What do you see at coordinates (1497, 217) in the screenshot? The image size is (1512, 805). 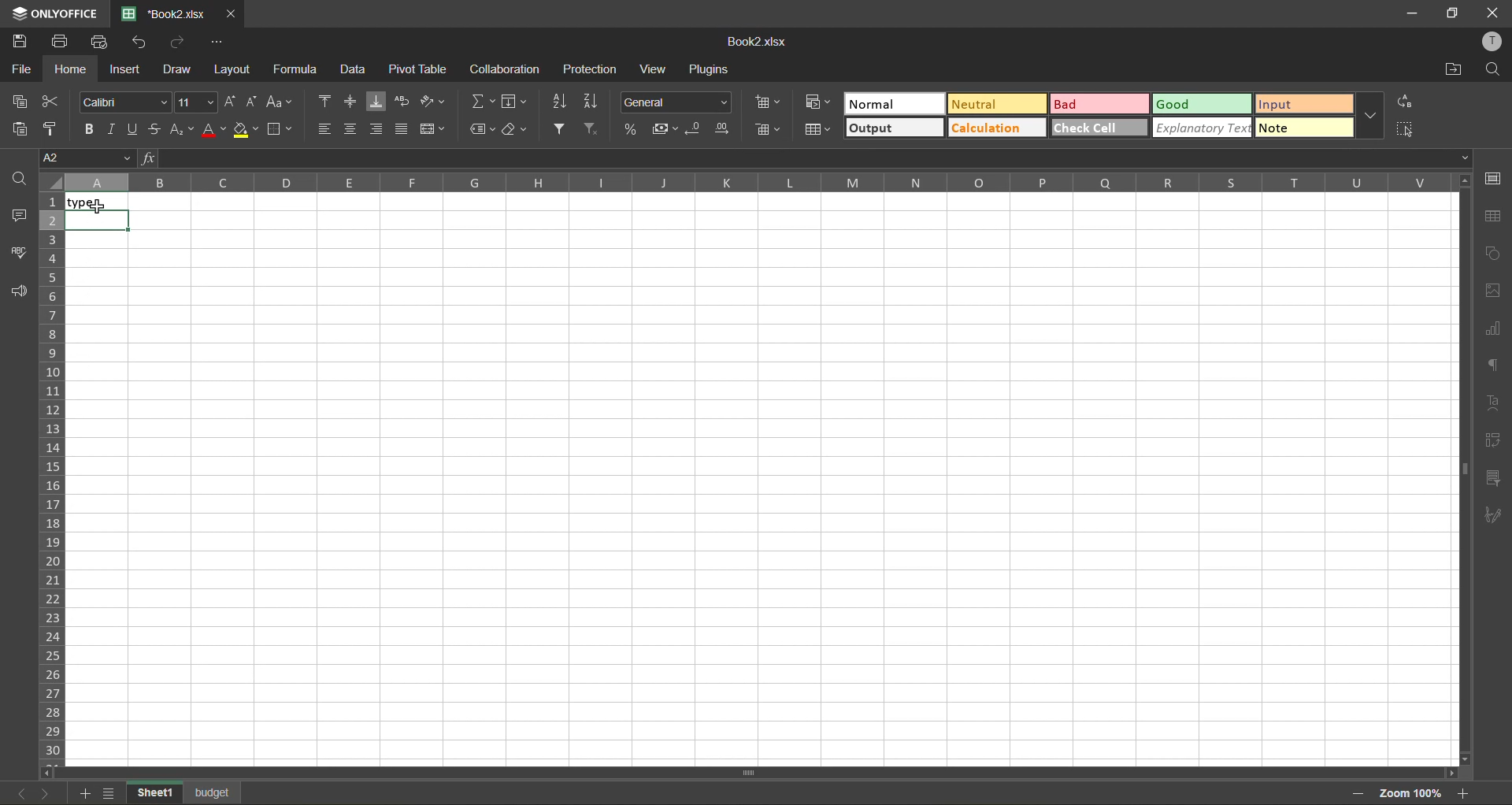 I see `table` at bounding box center [1497, 217].